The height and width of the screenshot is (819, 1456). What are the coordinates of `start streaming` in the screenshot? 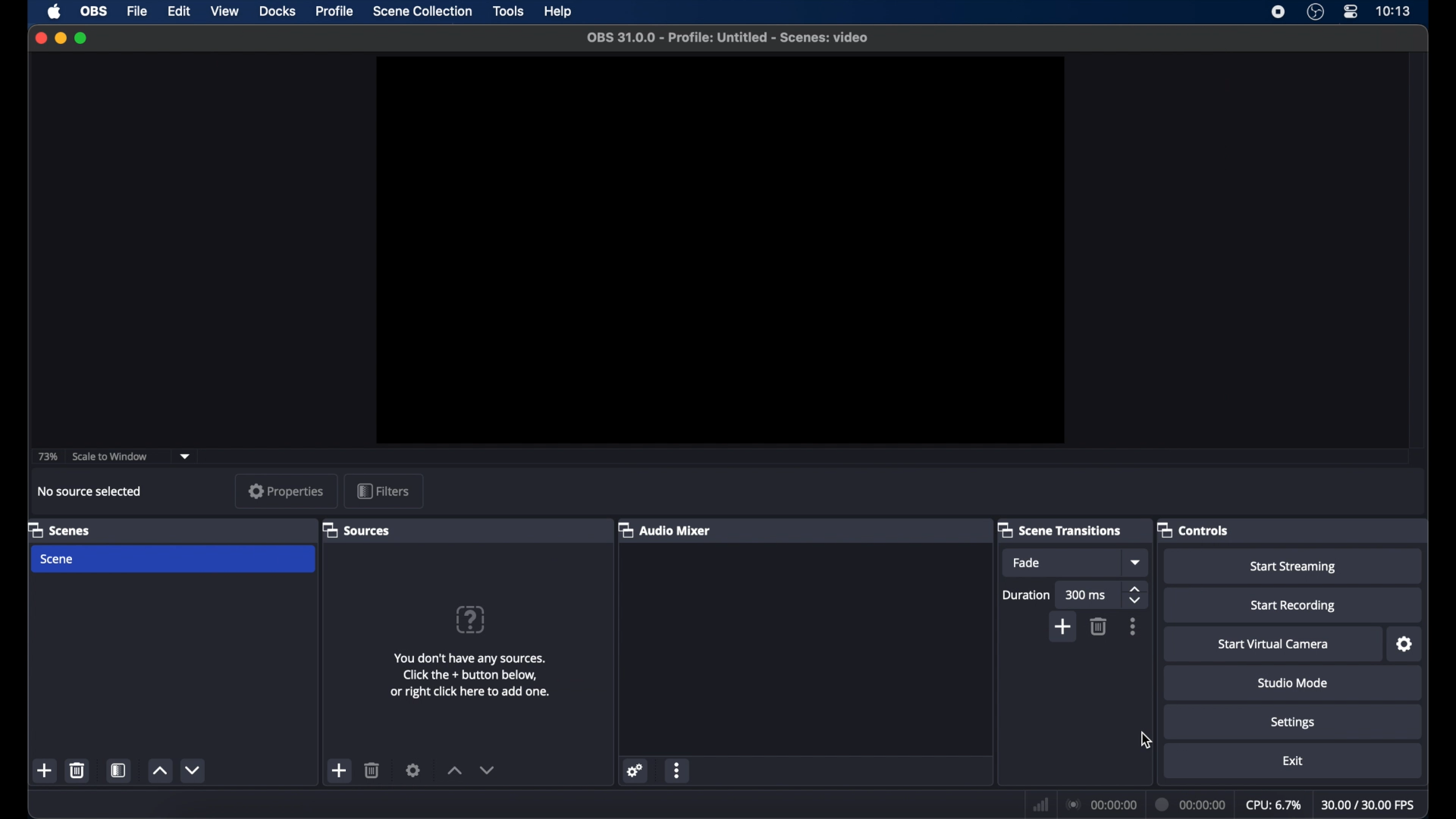 It's located at (1294, 567).